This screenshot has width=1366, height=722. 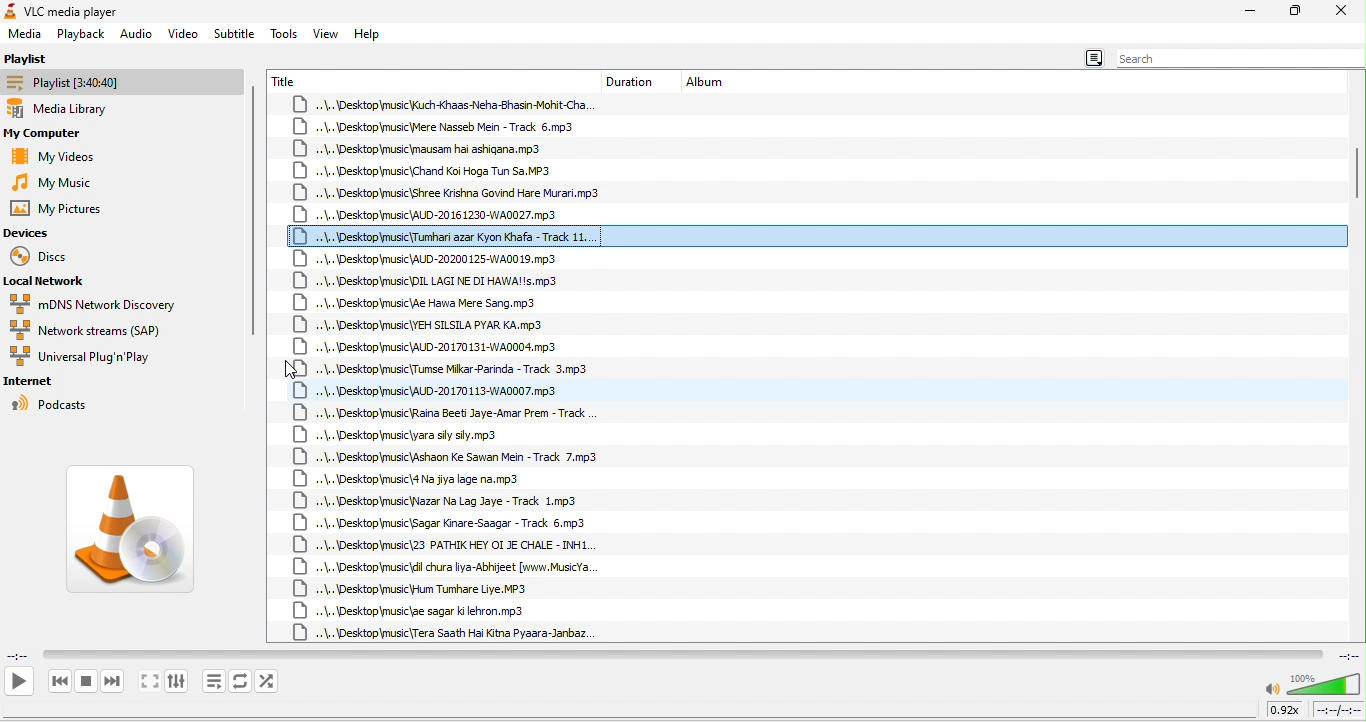 I want to click on ..\..\Desktop\music\Sagar Kinare-Saagar - Track 6,mp3, so click(x=447, y=523).